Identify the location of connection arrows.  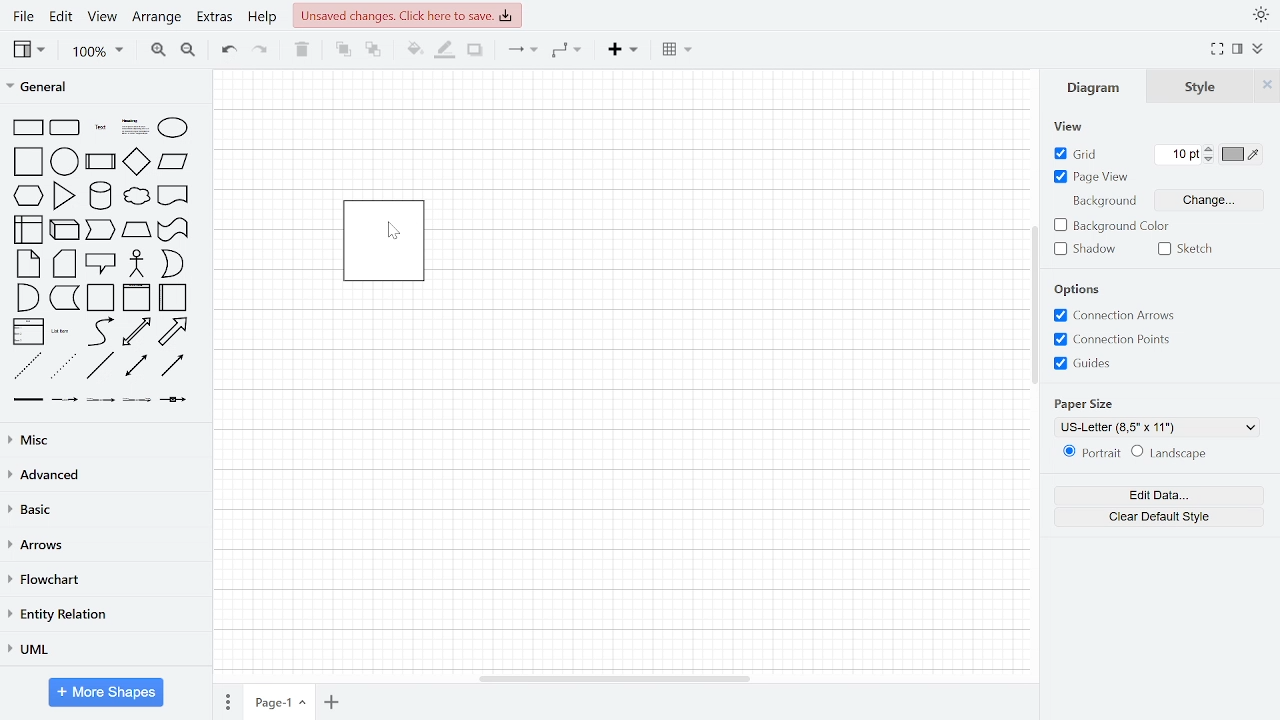
(1115, 315).